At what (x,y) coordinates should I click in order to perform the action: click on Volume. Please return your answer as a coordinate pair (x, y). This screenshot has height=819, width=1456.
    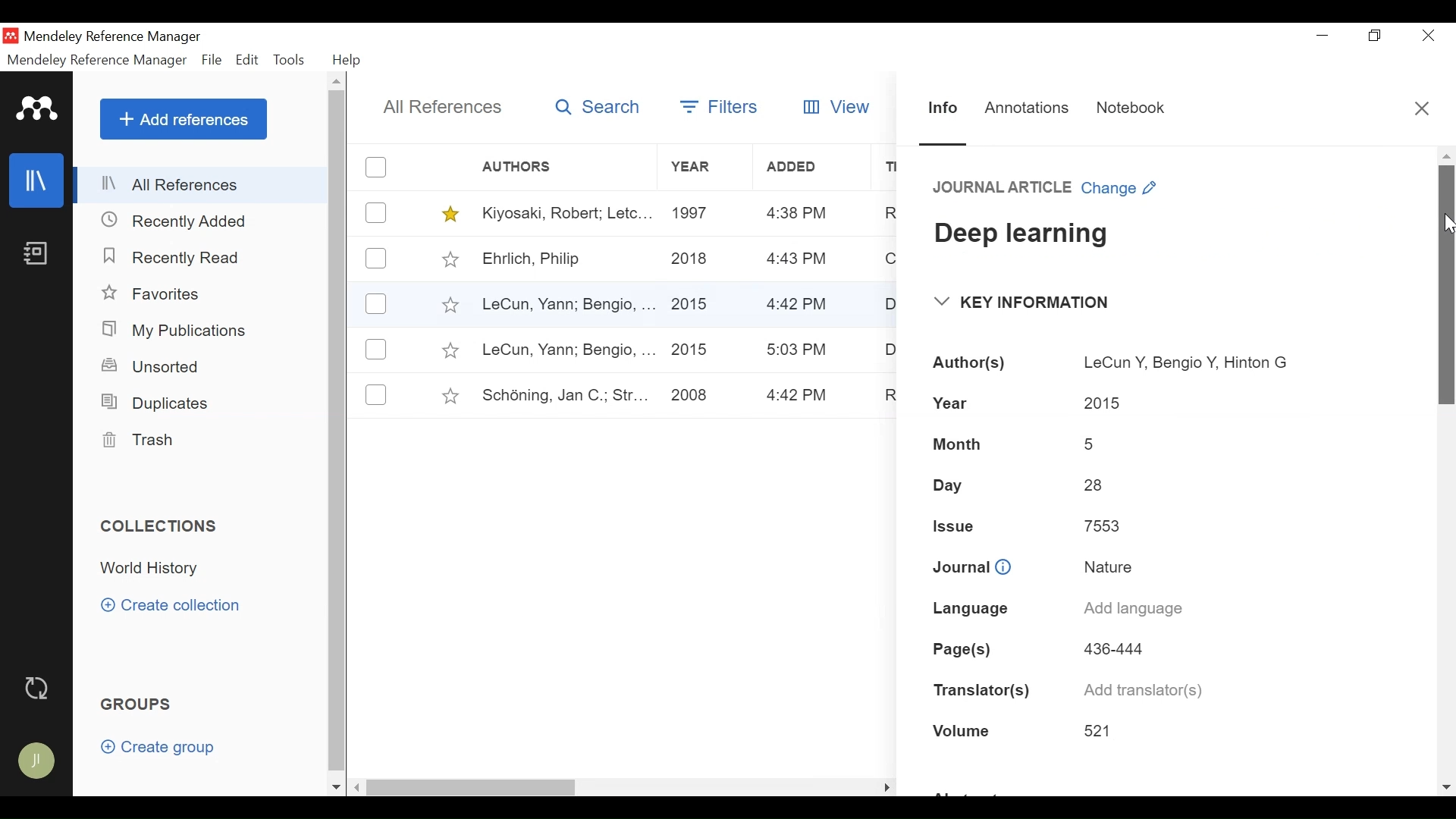
    Looking at the image, I should click on (965, 730).